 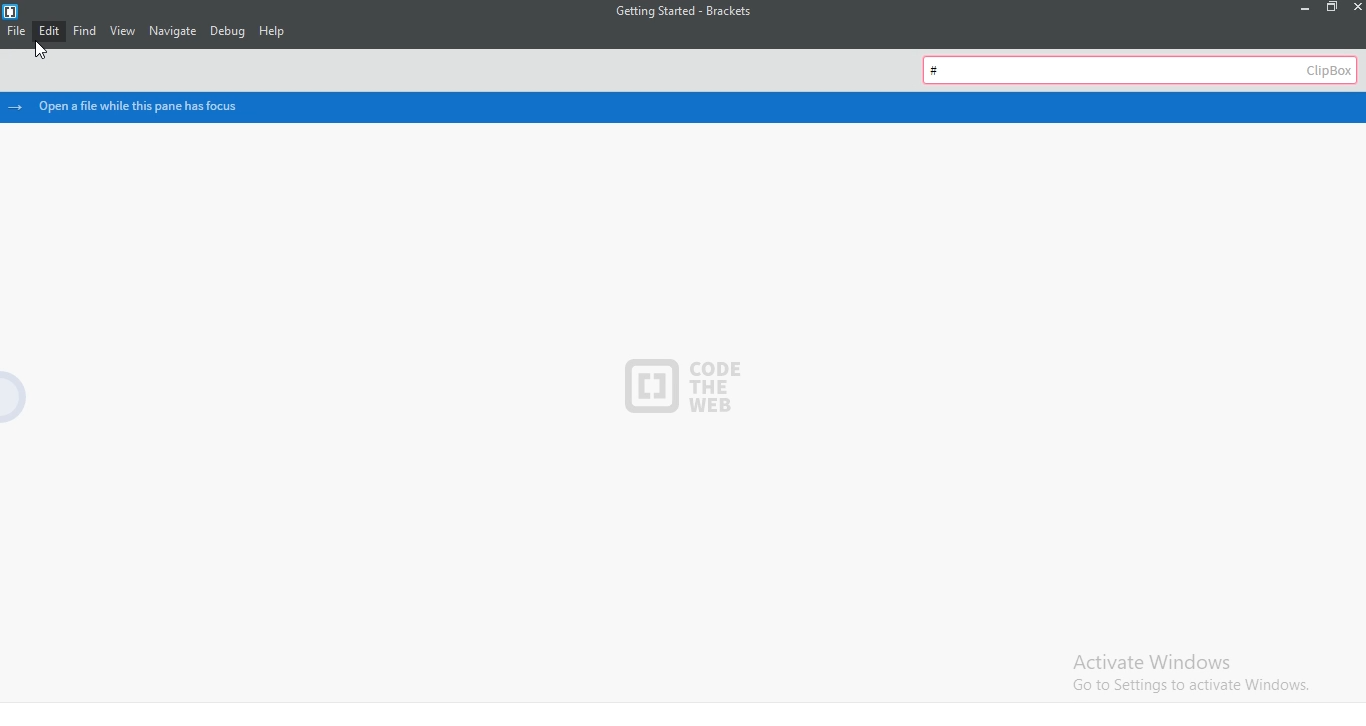 I want to click on Code The Web, so click(x=679, y=384).